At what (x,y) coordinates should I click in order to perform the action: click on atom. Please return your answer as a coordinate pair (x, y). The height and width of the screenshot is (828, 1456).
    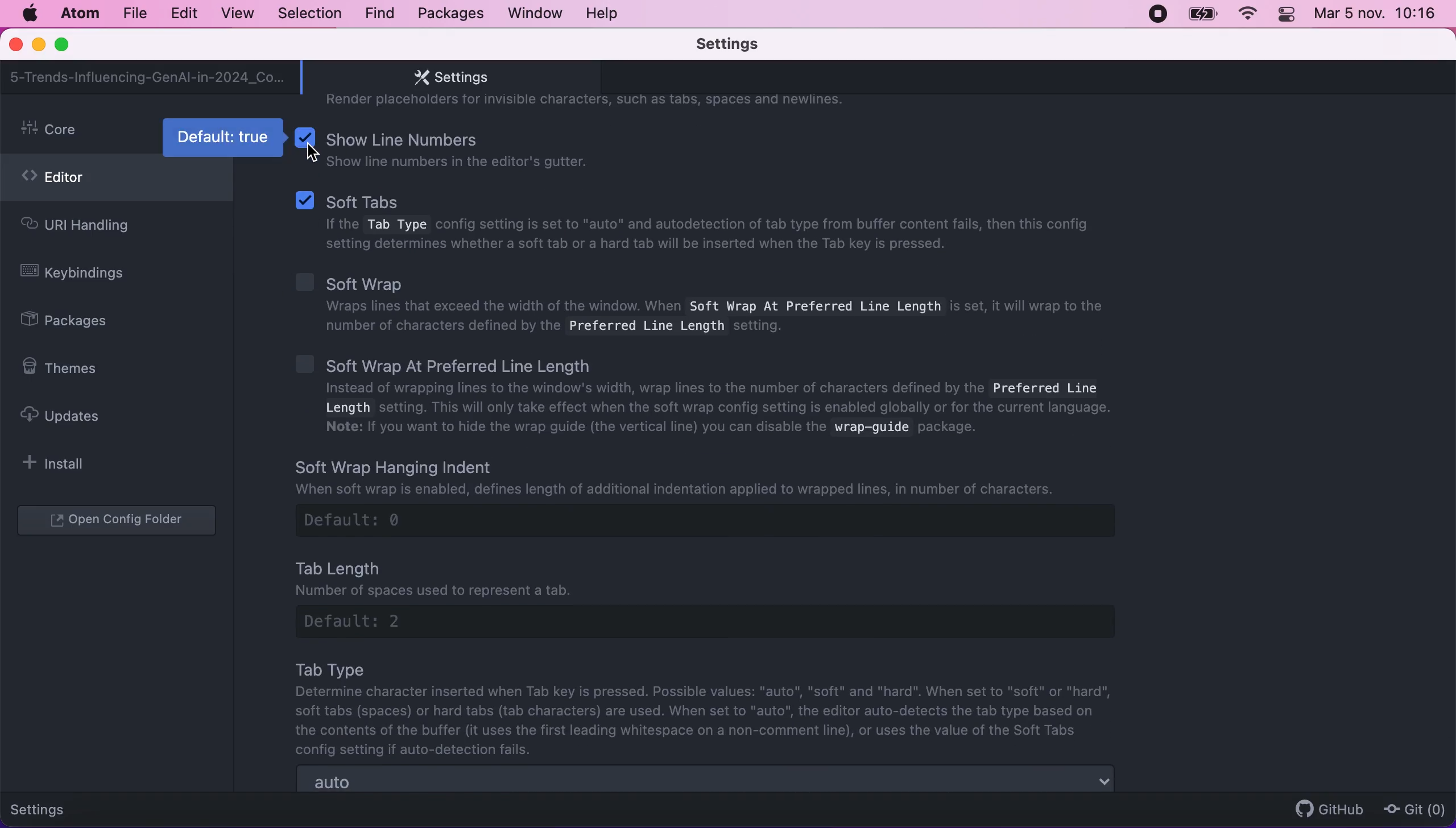
    Looking at the image, I should click on (79, 13).